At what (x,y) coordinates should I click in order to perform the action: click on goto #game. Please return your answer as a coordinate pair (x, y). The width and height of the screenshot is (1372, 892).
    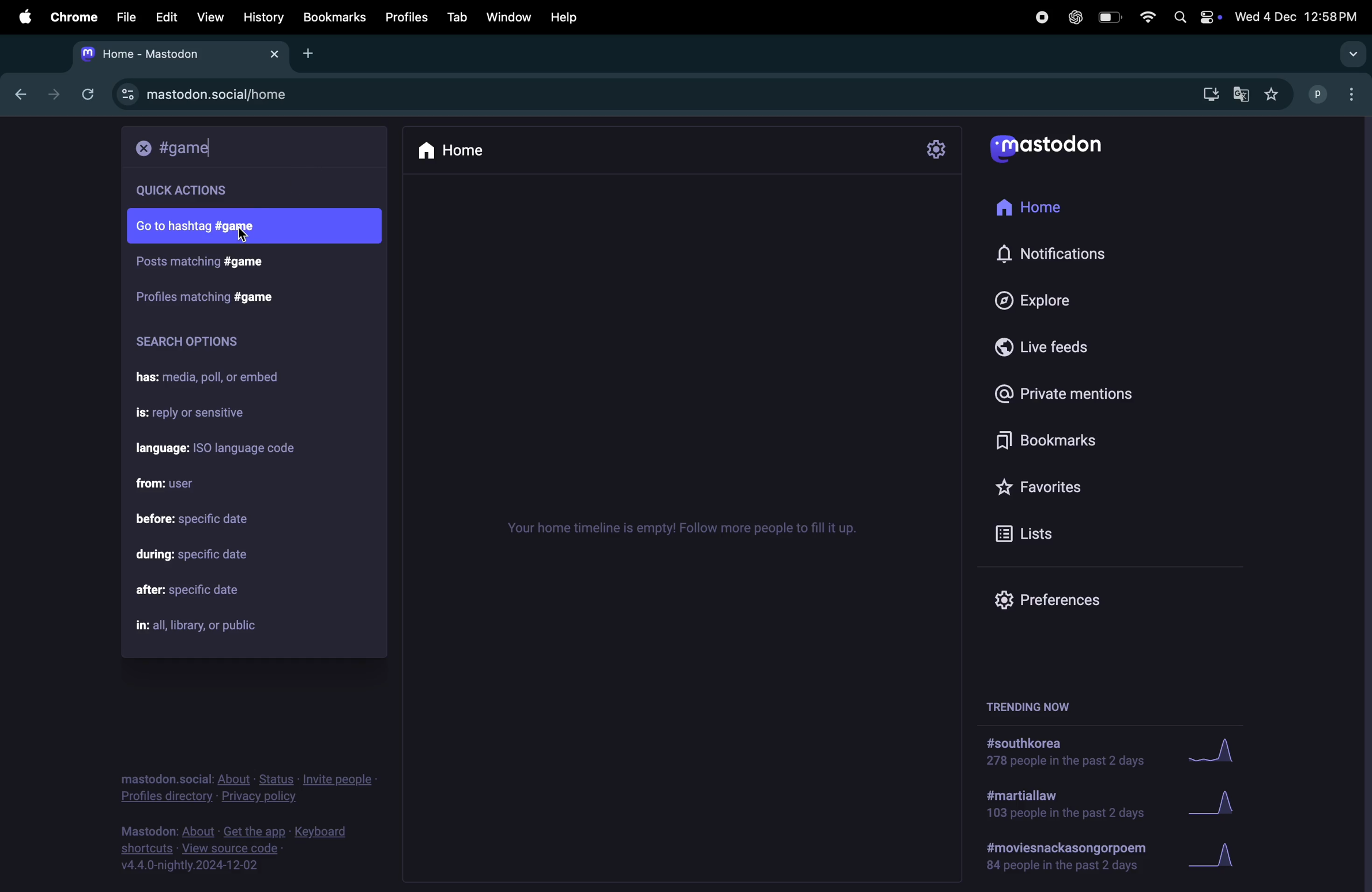
    Looking at the image, I should click on (249, 227).